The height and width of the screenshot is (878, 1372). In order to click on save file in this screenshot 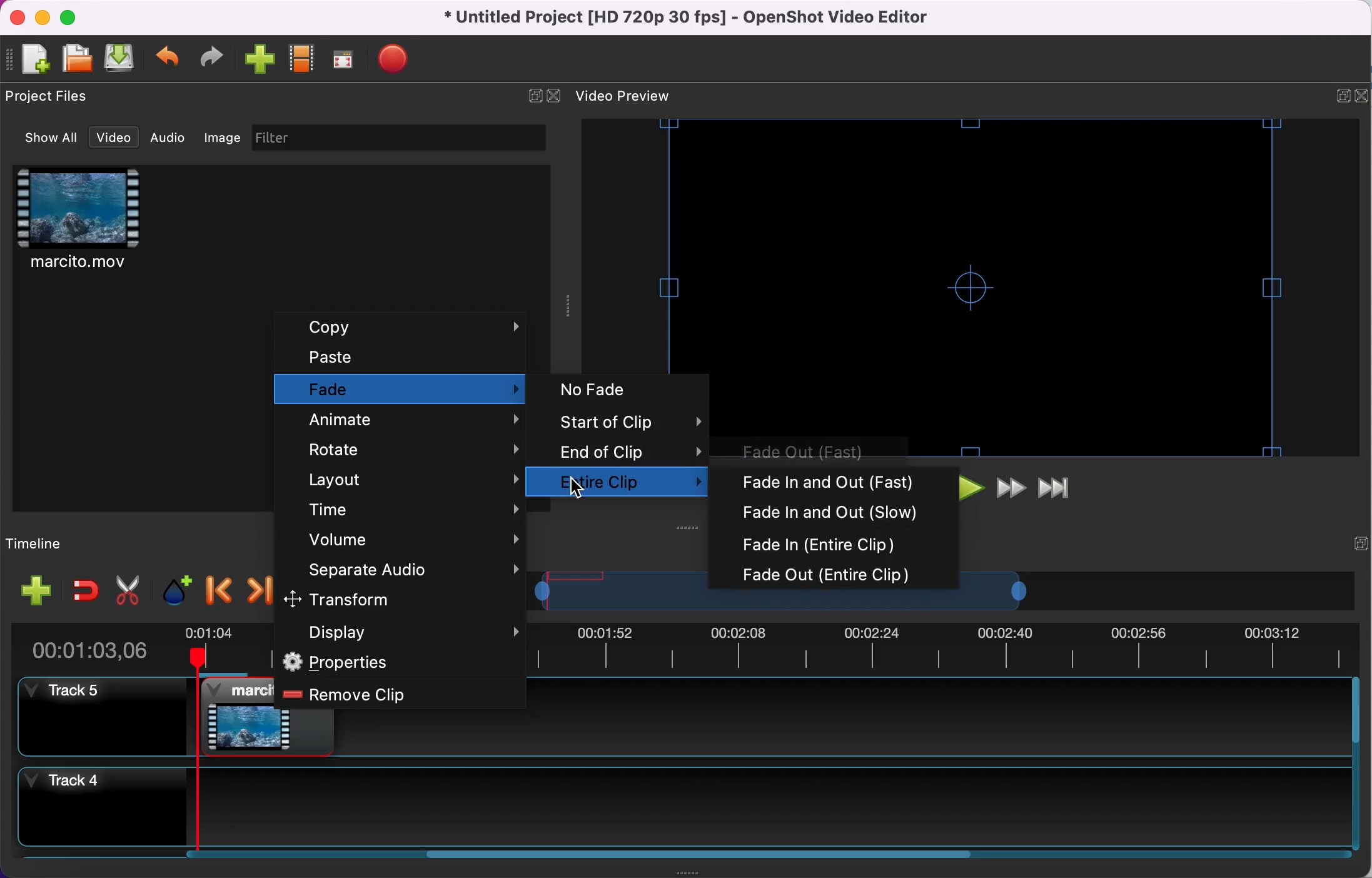, I will do `click(119, 58)`.